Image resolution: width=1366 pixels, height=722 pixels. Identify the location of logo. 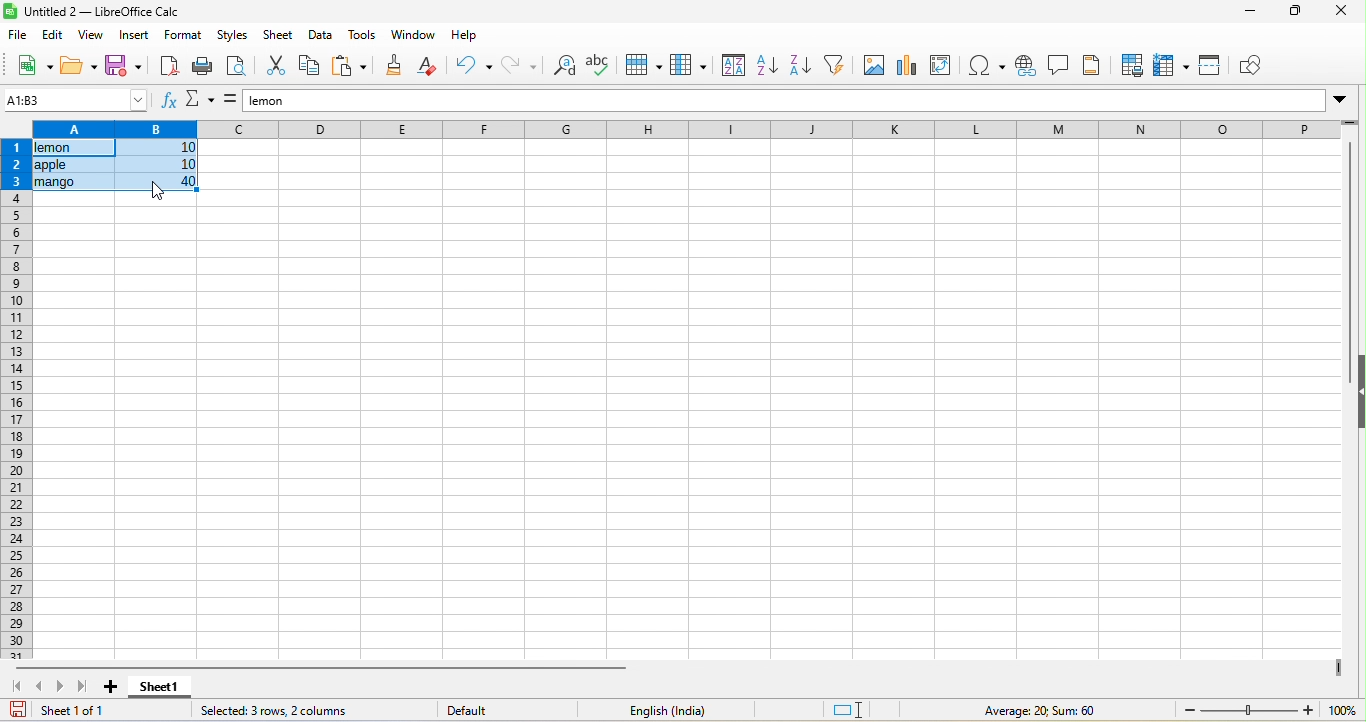
(11, 12).